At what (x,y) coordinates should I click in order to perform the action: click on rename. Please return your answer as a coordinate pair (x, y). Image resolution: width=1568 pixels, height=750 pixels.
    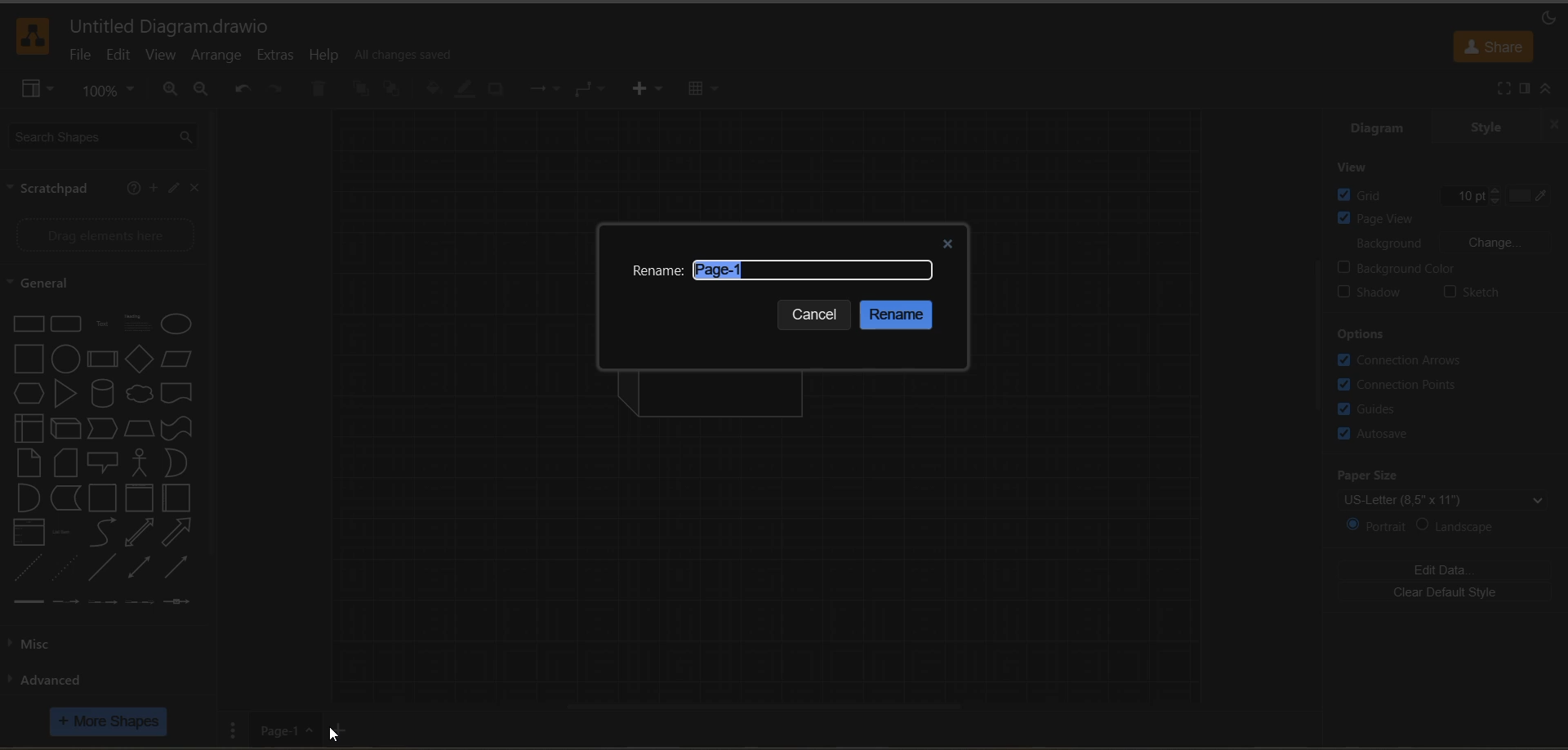
    Looking at the image, I should click on (657, 272).